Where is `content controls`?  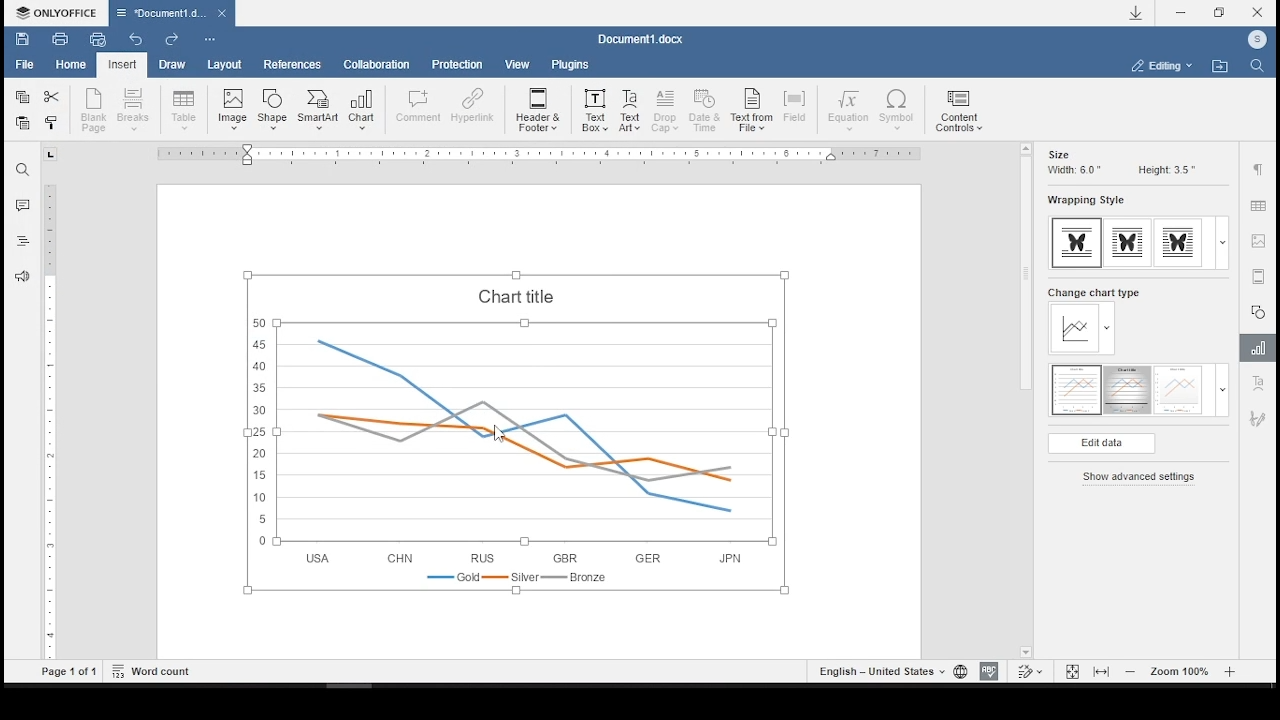 content controls is located at coordinates (961, 111).